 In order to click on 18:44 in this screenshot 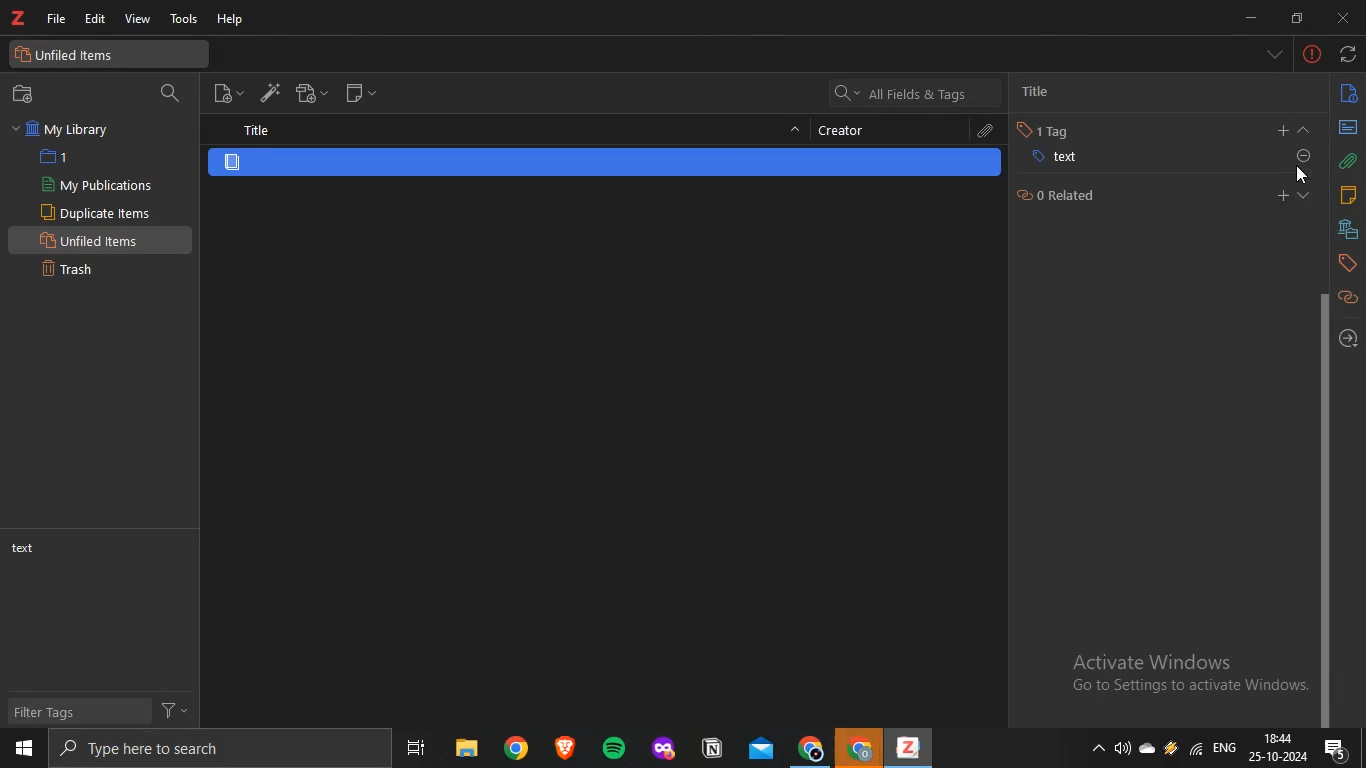, I will do `click(1274, 736)`.